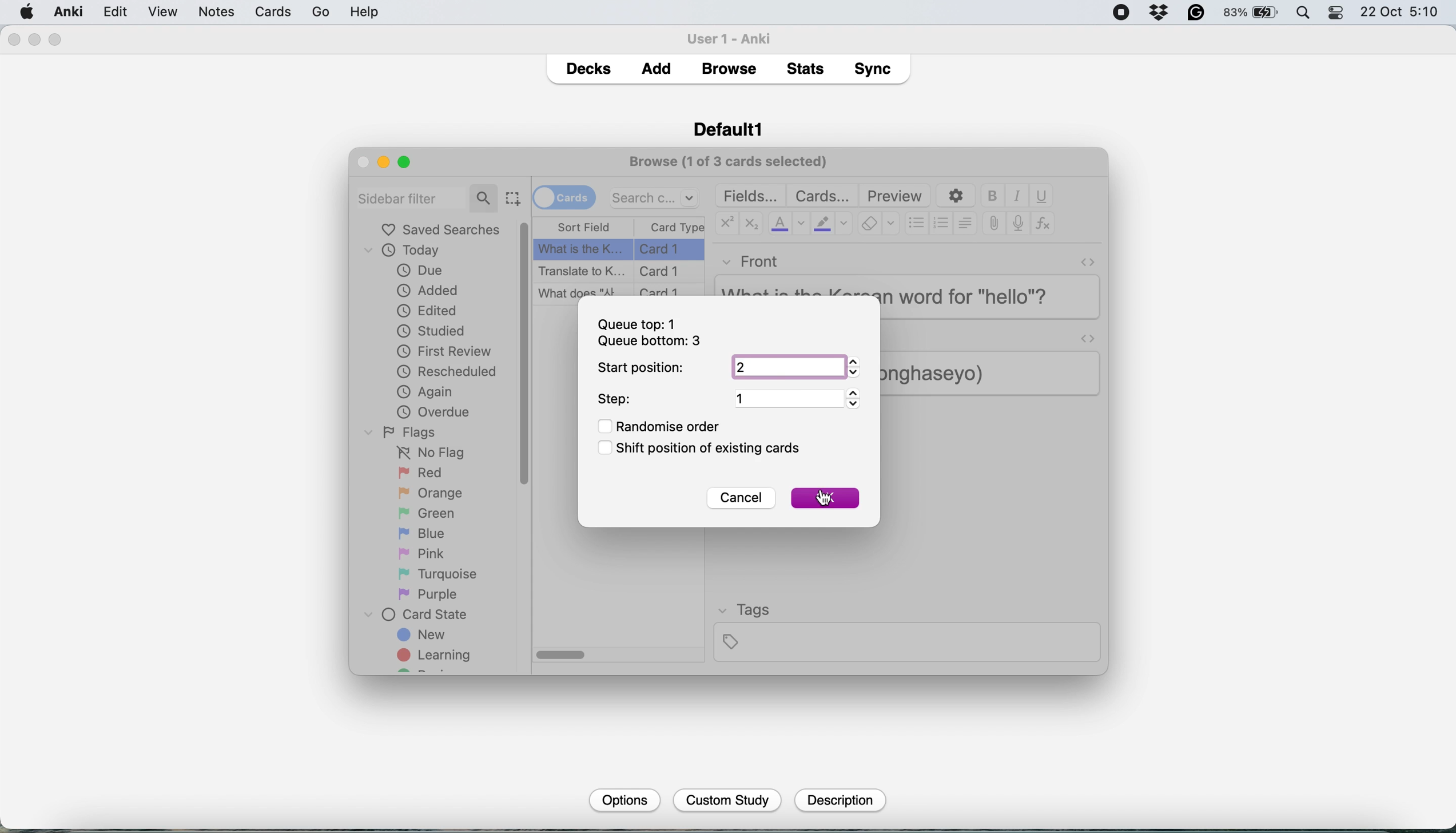 Image resolution: width=1456 pixels, height=833 pixels. Describe the element at coordinates (838, 800) in the screenshot. I see `Description` at that location.